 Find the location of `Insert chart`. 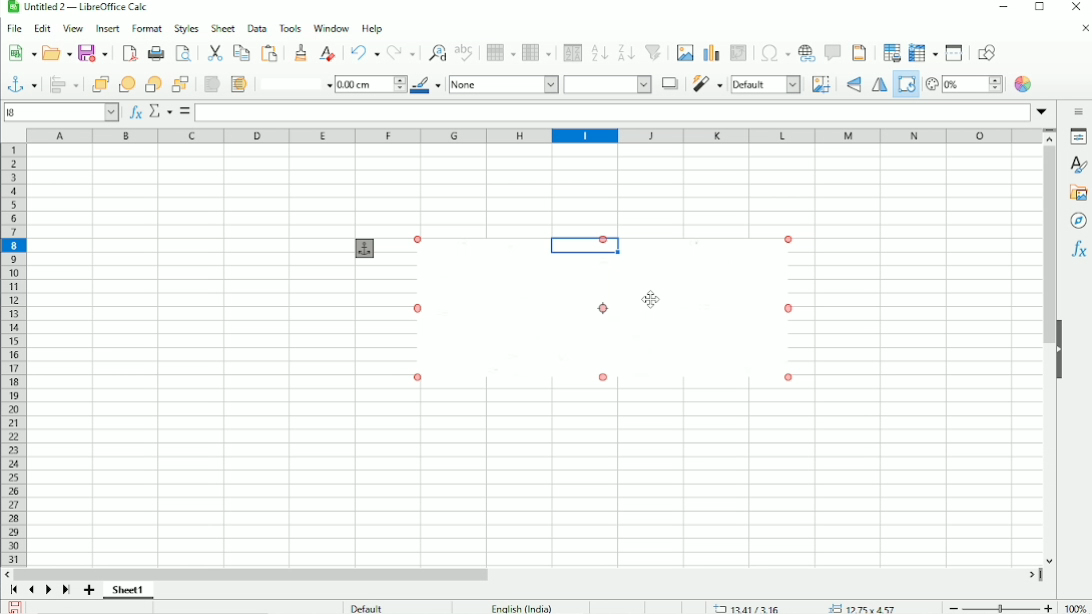

Insert chart is located at coordinates (711, 53).